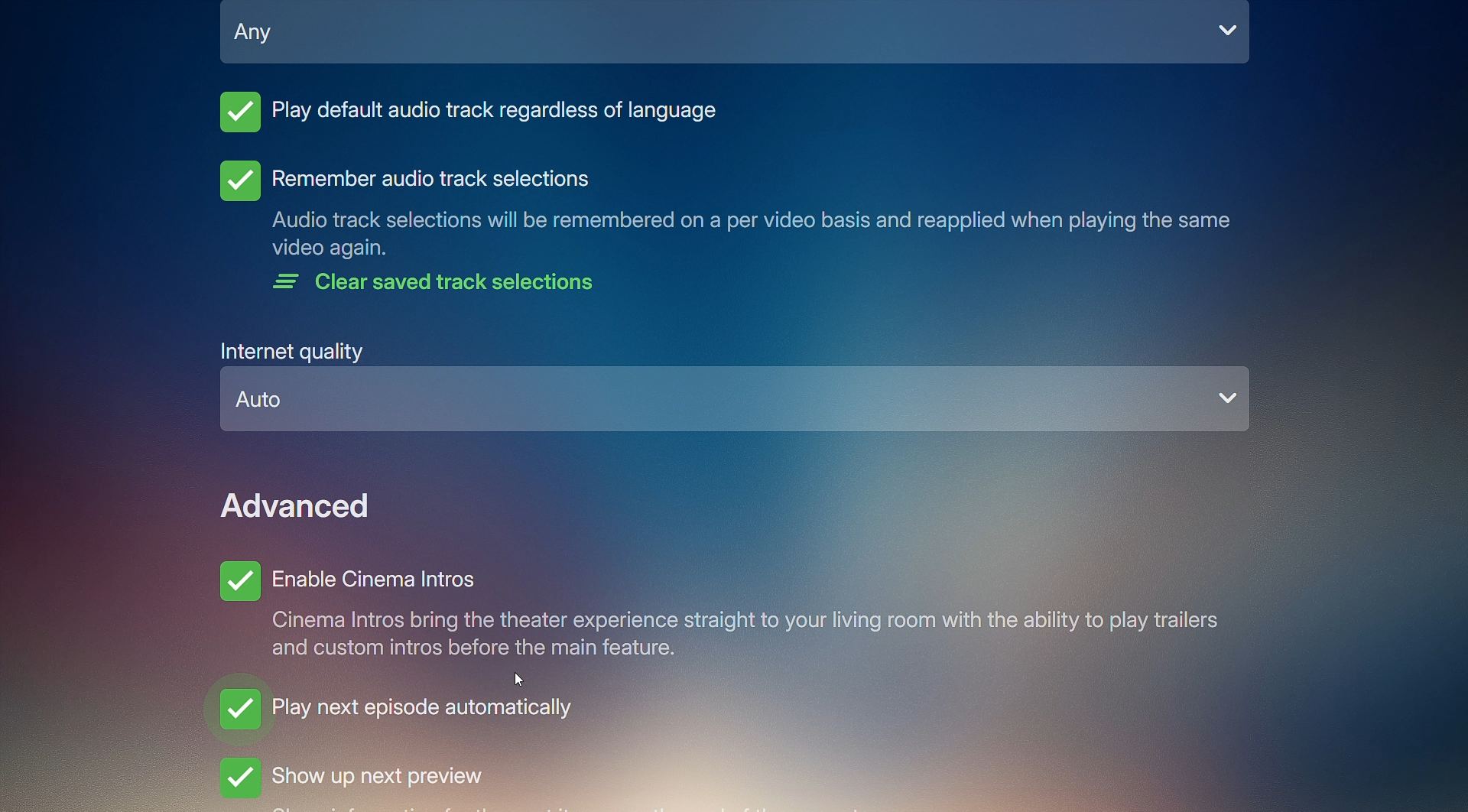  Describe the element at coordinates (408, 780) in the screenshot. I see `Show up next preview` at that location.